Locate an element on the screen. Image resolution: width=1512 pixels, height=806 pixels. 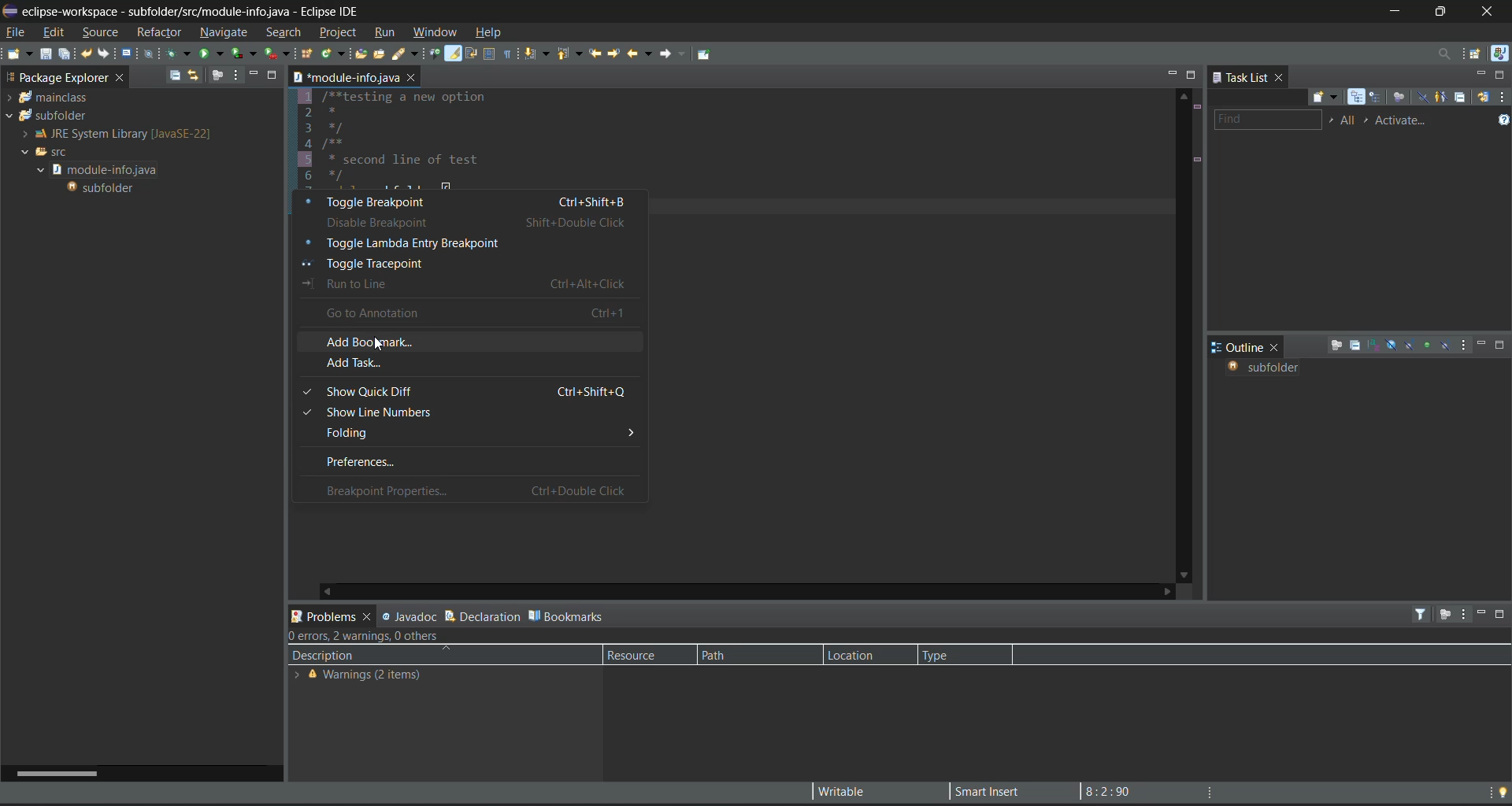
horizontal scroll bar is located at coordinates (53, 773).